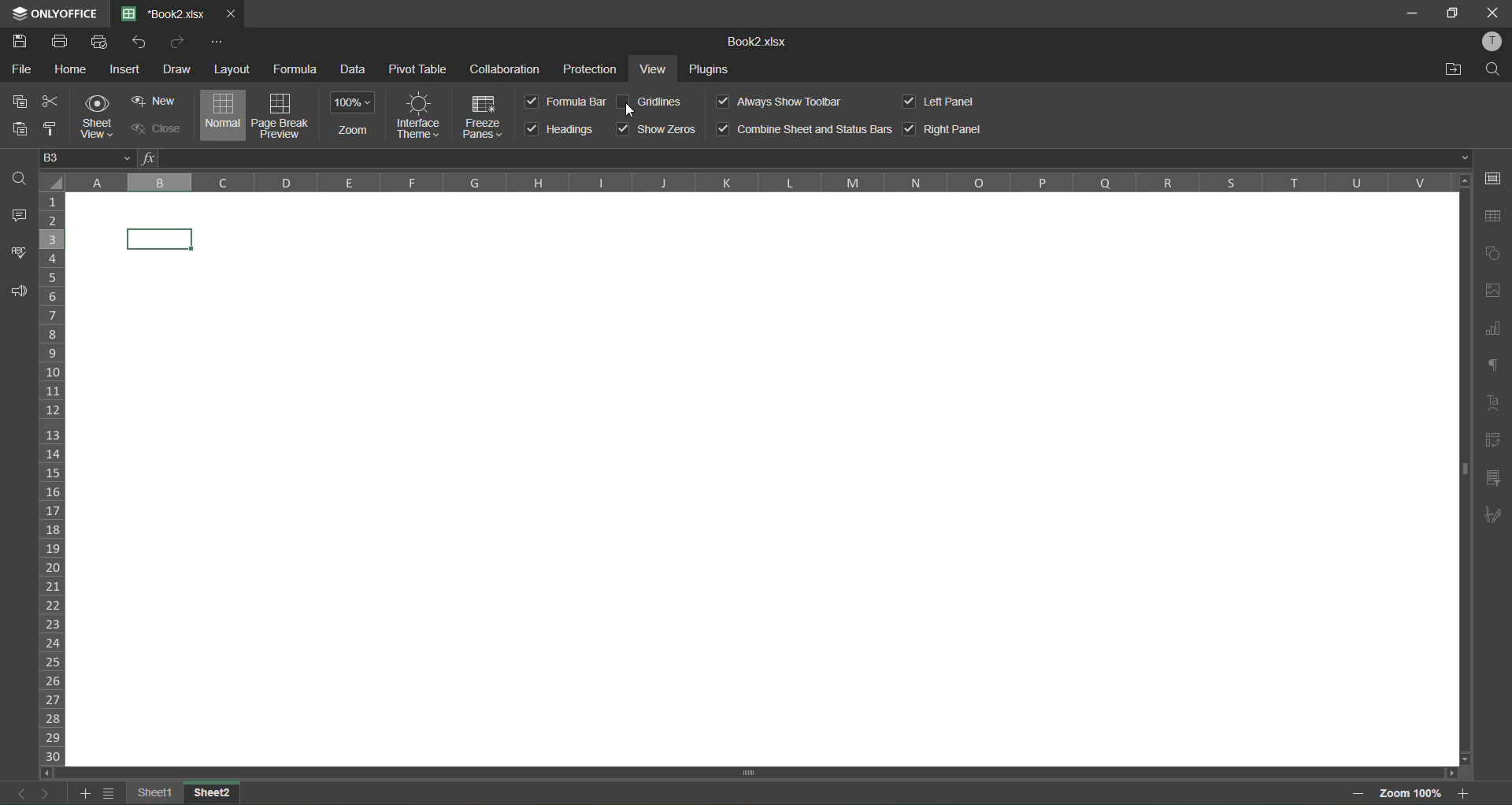 The height and width of the screenshot is (805, 1512). What do you see at coordinates (1454, 69) in the screenshot?
I see `open location` at bounding box center [1454, 69].